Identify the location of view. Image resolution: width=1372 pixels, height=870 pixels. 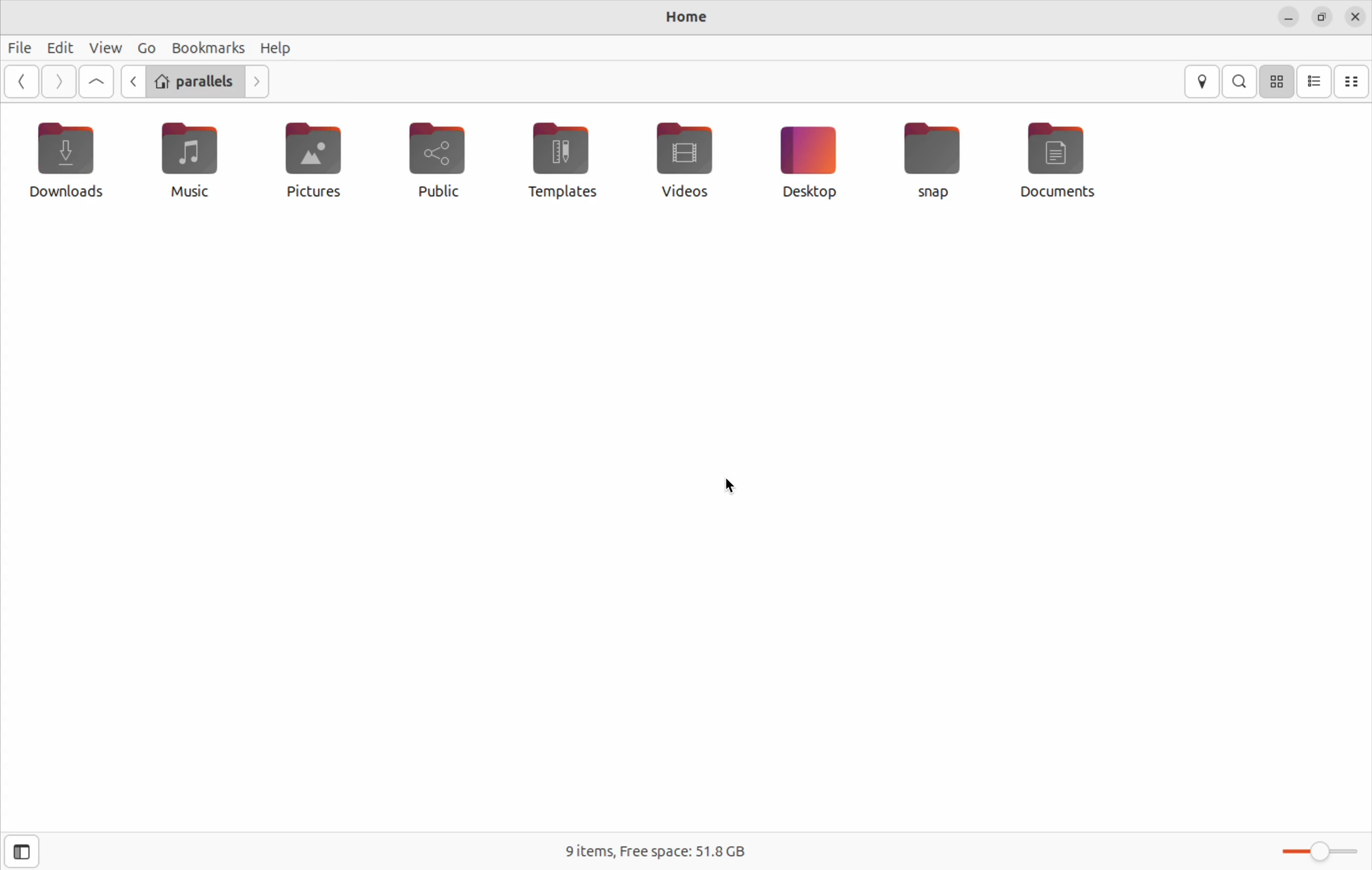
(104, 48).